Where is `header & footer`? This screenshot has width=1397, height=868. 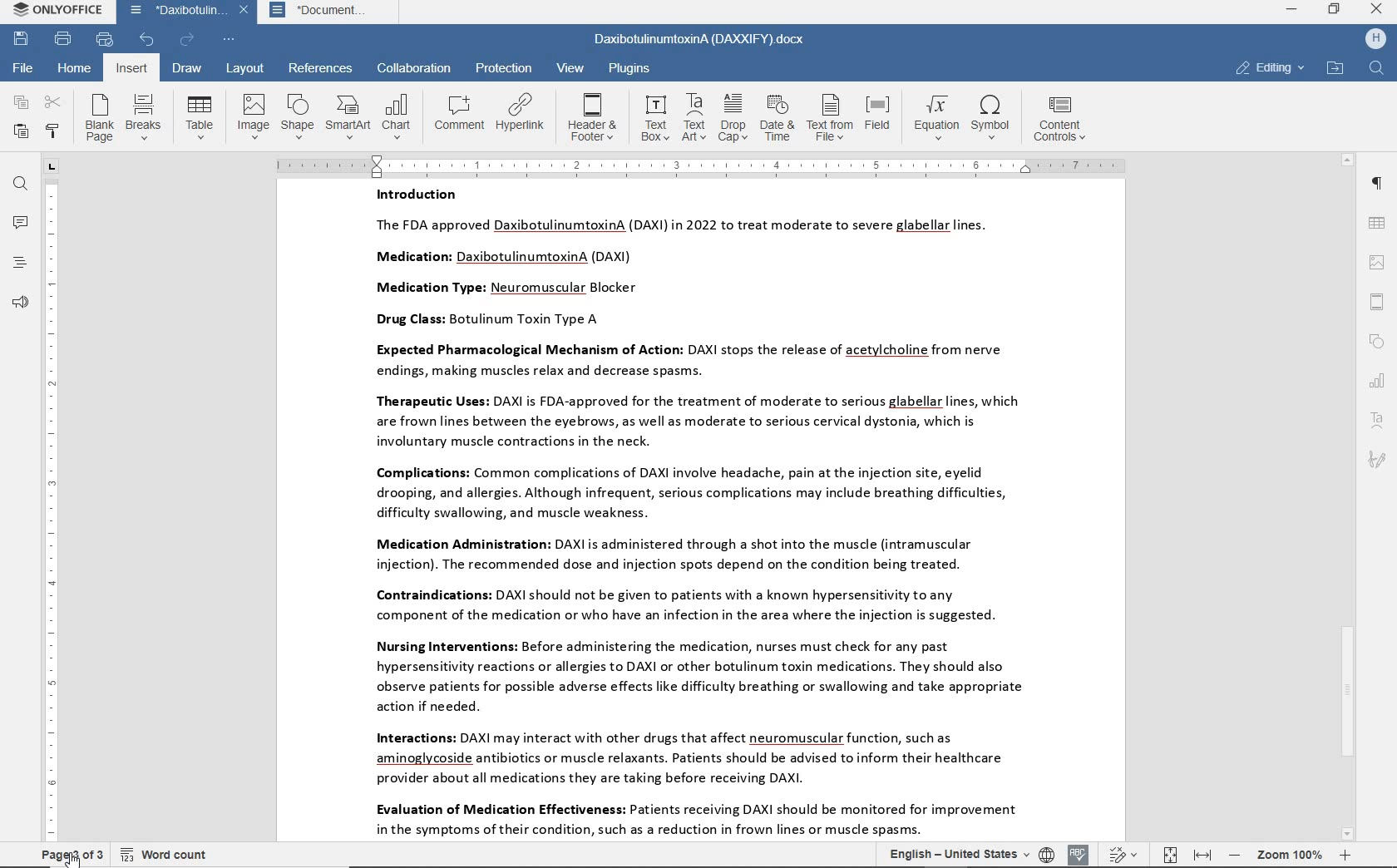 header & footer is located at coordinates (1376, 303).